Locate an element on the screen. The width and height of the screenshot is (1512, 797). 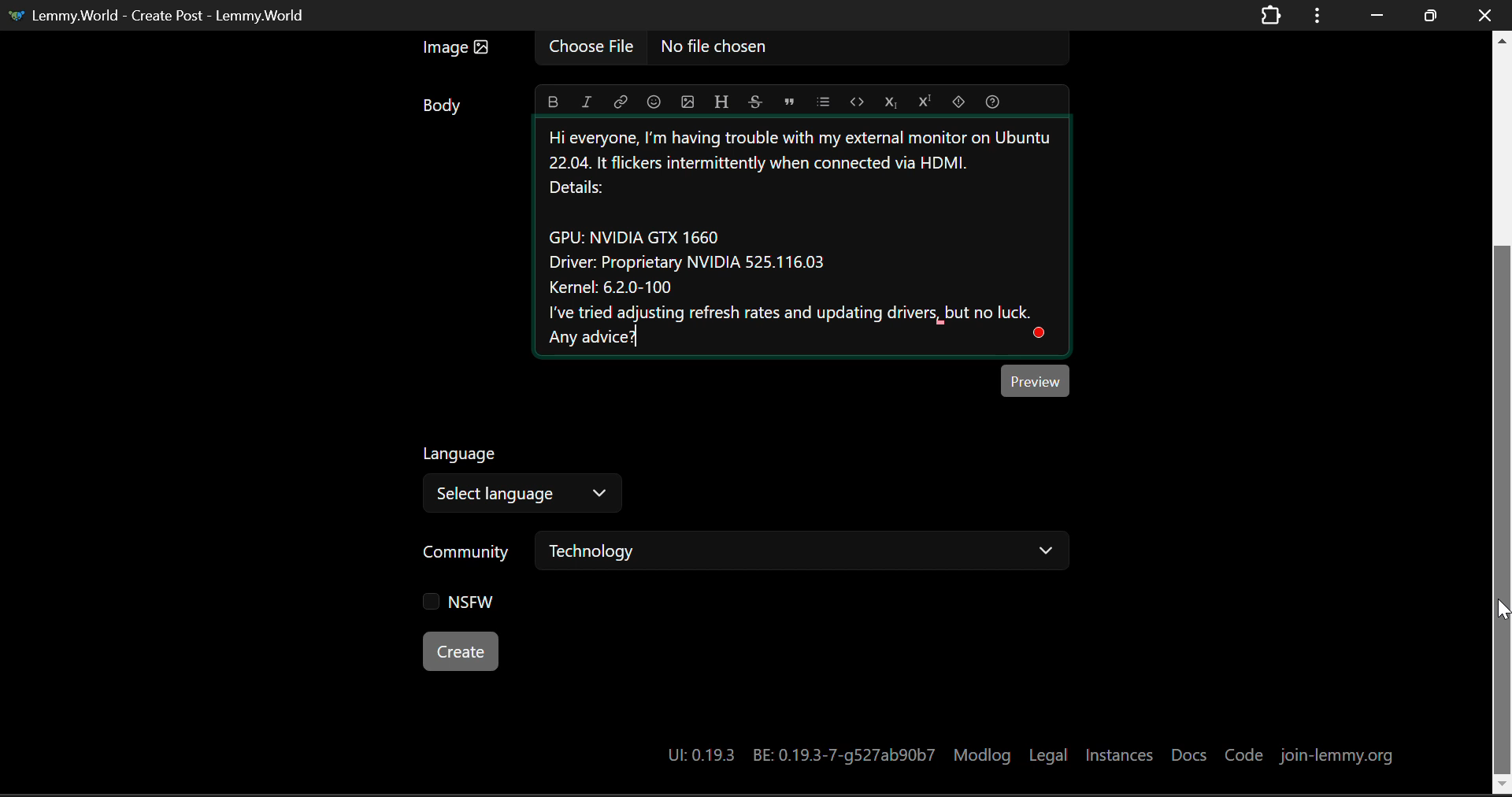
Formatting Help is located at coordinates (992, 100).